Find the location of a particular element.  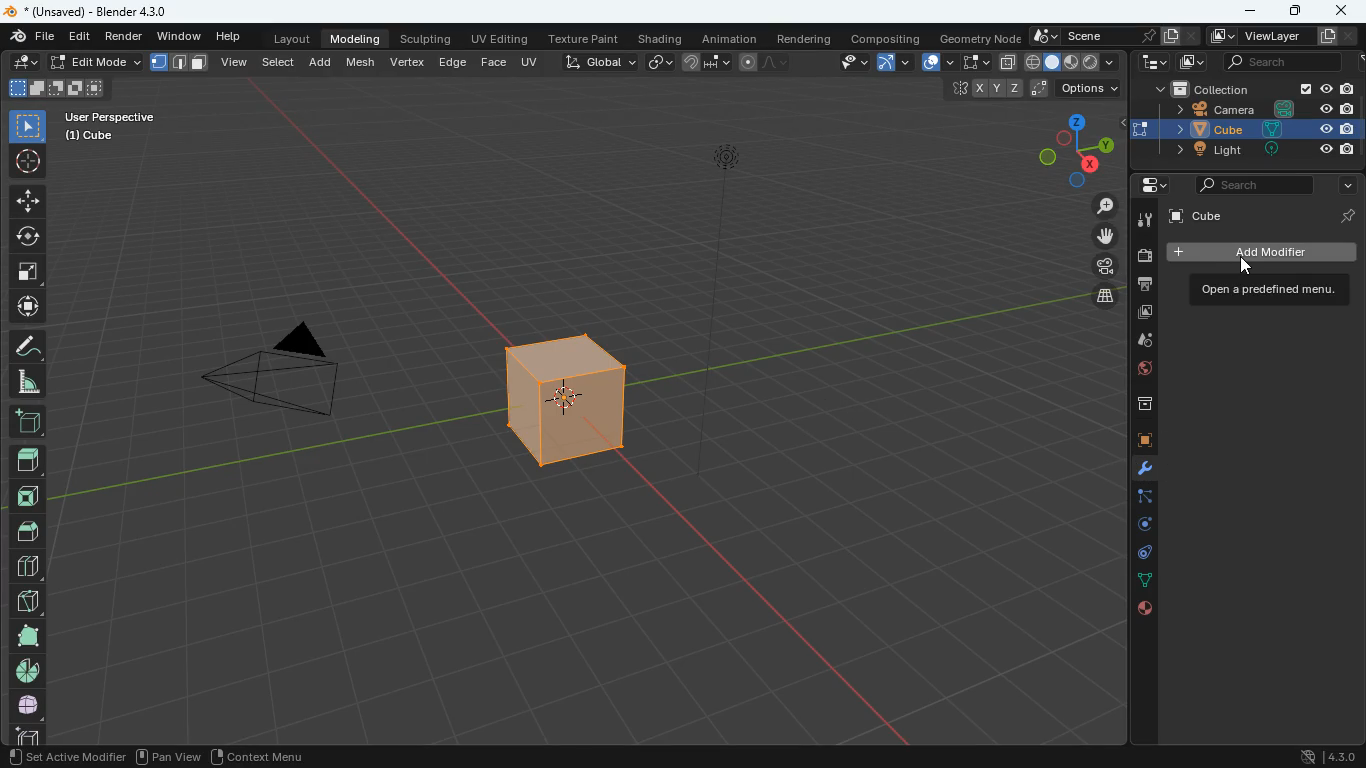

scene is located at coordinates (1111, 36).